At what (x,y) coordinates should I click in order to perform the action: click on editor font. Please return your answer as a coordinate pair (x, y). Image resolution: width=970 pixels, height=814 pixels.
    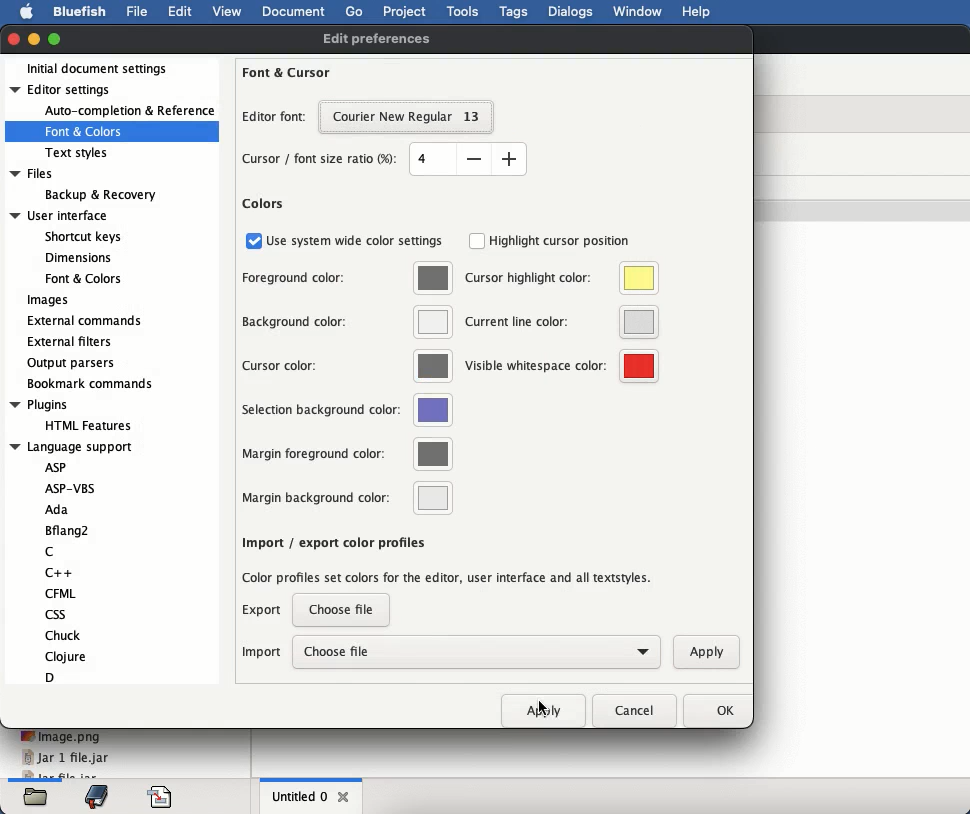
    Looking at the image, I should click on (276, 119).